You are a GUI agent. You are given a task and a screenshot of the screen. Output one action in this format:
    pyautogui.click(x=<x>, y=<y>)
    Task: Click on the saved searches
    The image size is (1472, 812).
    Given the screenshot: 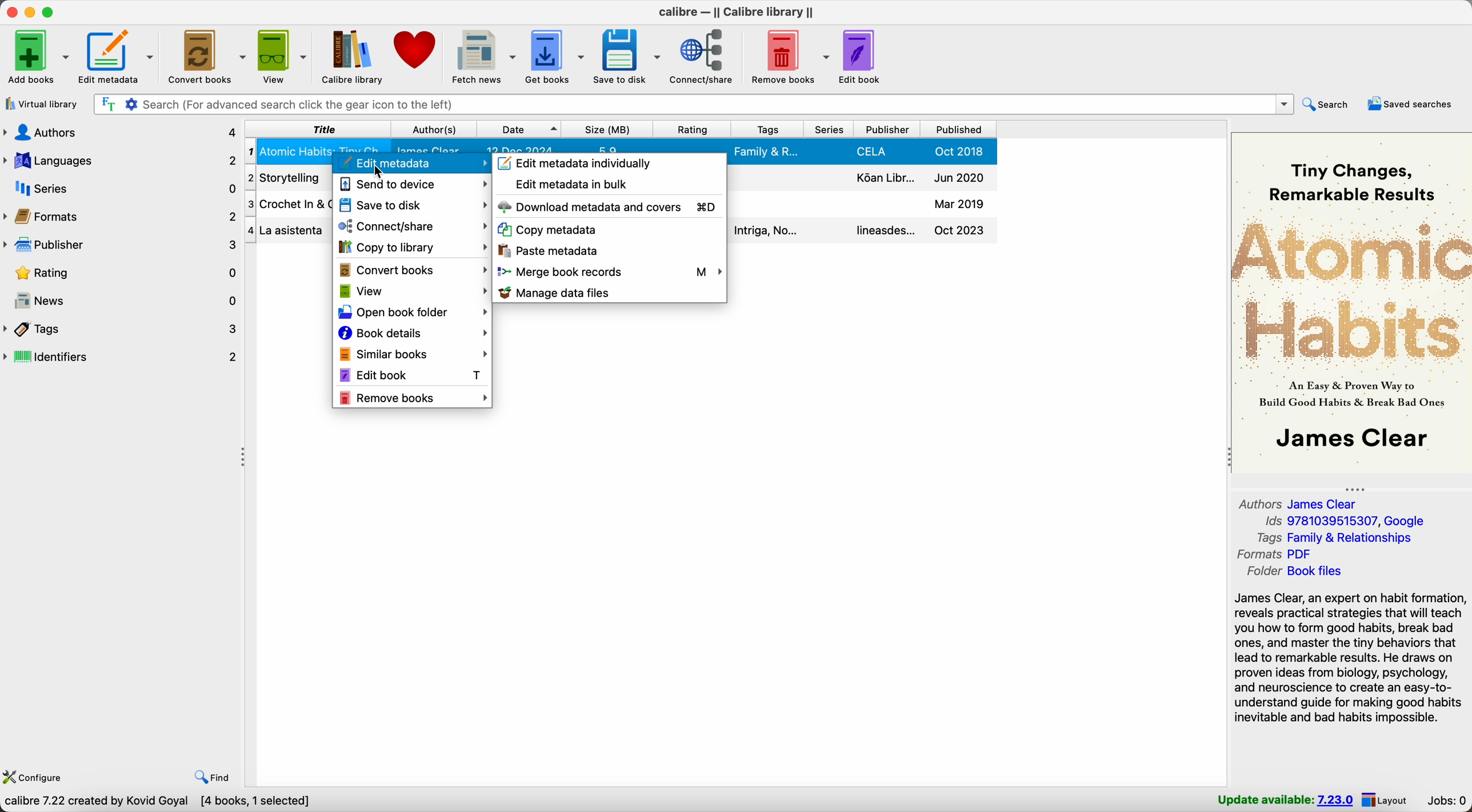 What is the action you would take?
    pyautogui.click(x=1410, y=103)
    